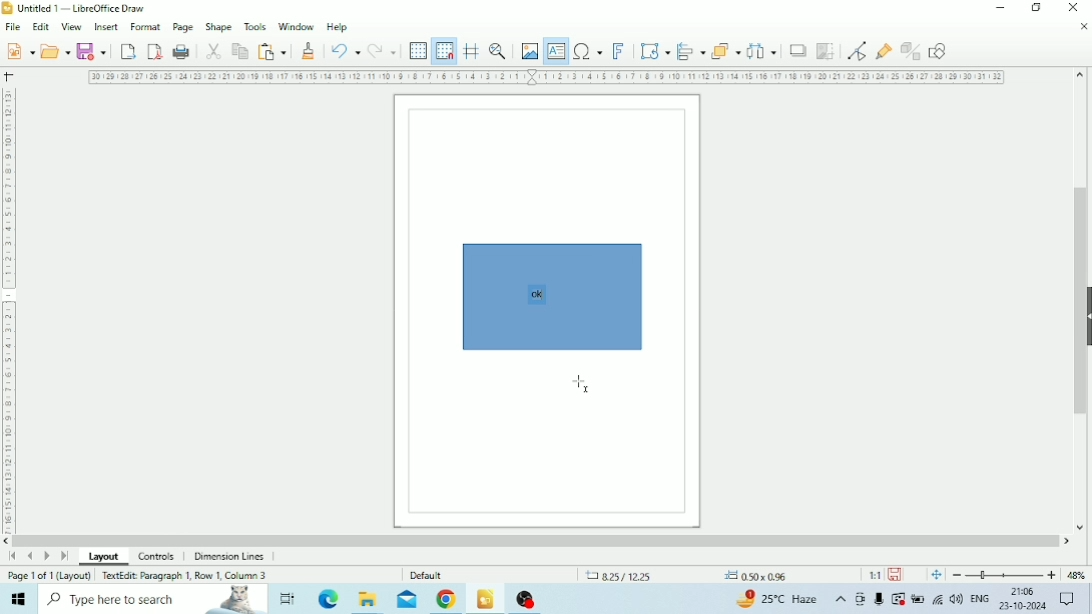  What do you see at coordinates (106, 26) in the screenshot?
I see `Insert` at bounding box center [106, 26].